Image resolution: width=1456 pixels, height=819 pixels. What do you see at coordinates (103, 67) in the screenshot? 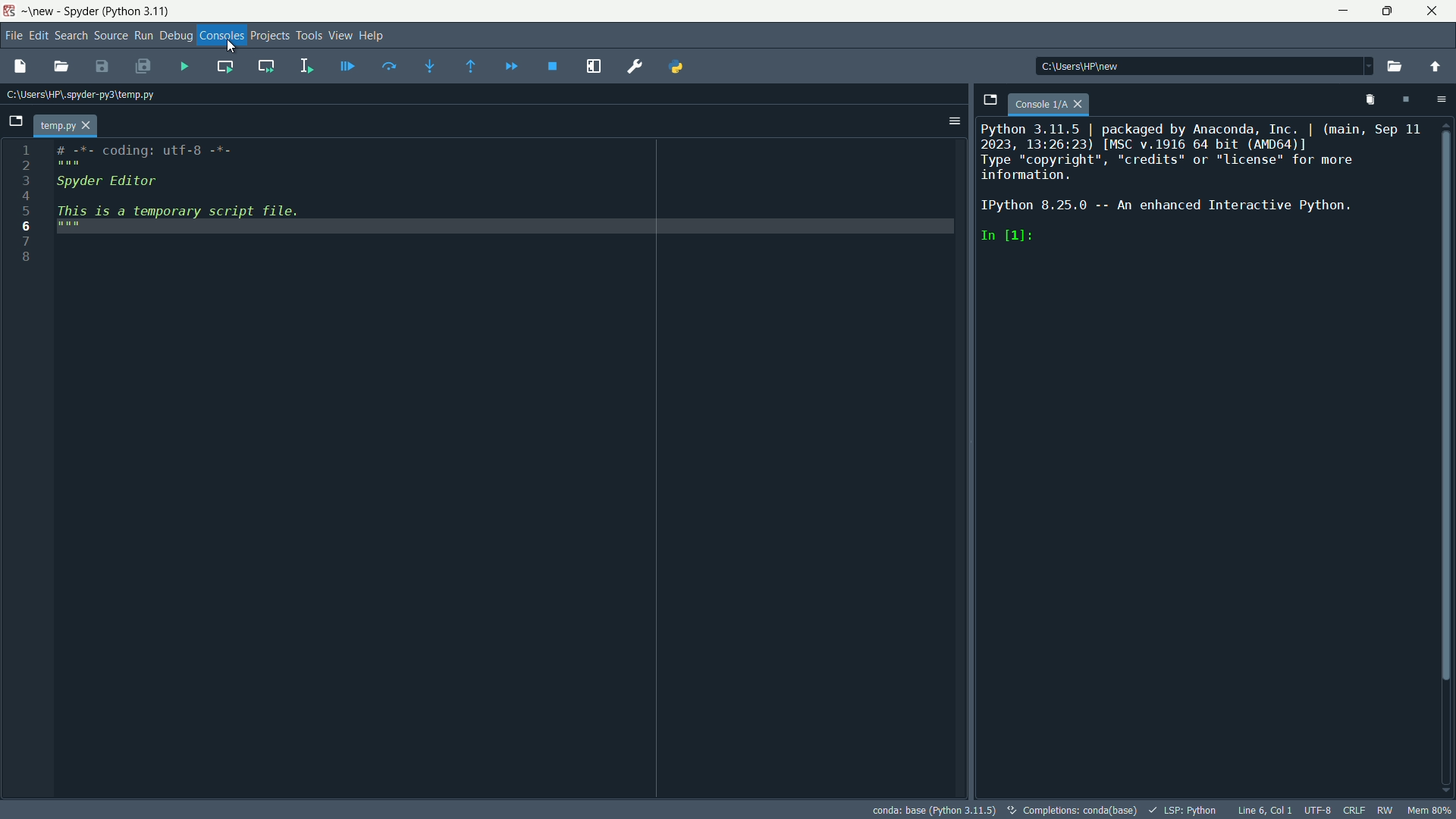
I see `save file` at bounding box center [103, 67].